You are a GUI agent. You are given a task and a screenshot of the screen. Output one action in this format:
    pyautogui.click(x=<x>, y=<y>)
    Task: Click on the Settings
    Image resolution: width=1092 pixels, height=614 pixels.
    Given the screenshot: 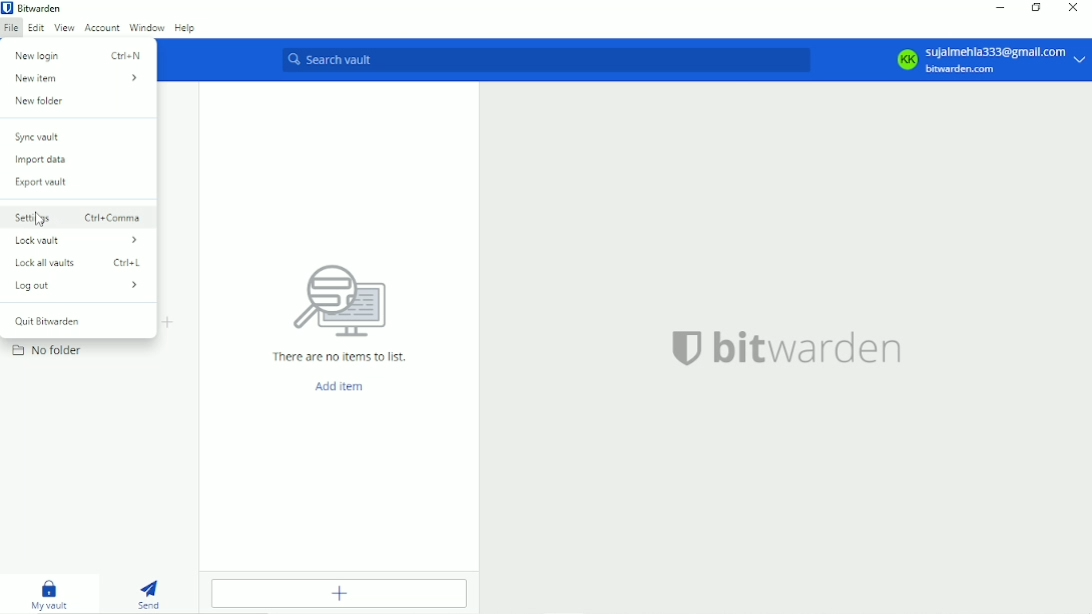 What is the action you would take?
    pyautogui.click(x=77, y=216)
    